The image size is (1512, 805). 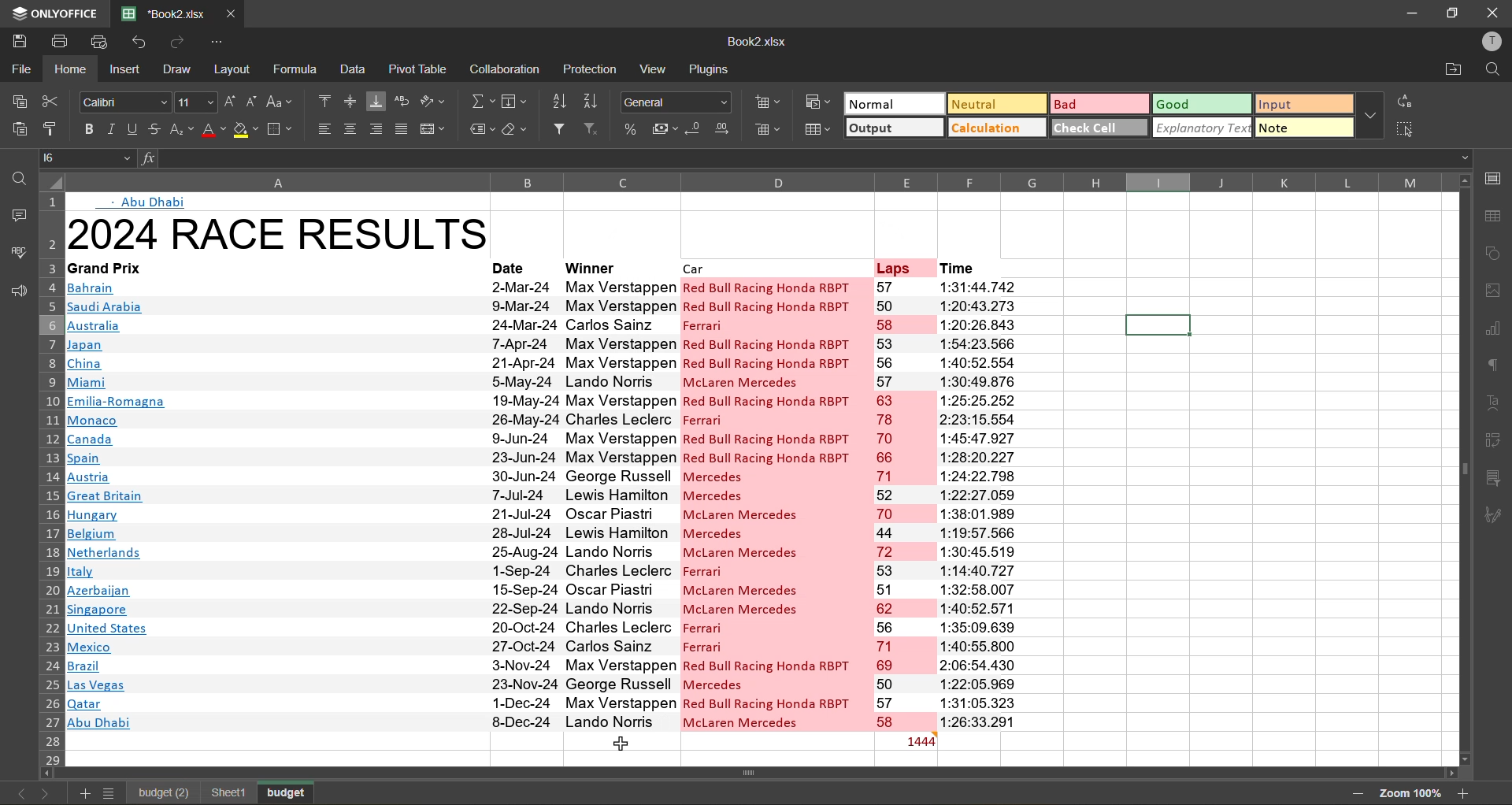 What do you see at coordinates (1299, 106) in the screenshot?
I see `input` at bounding box center [1299, 106].